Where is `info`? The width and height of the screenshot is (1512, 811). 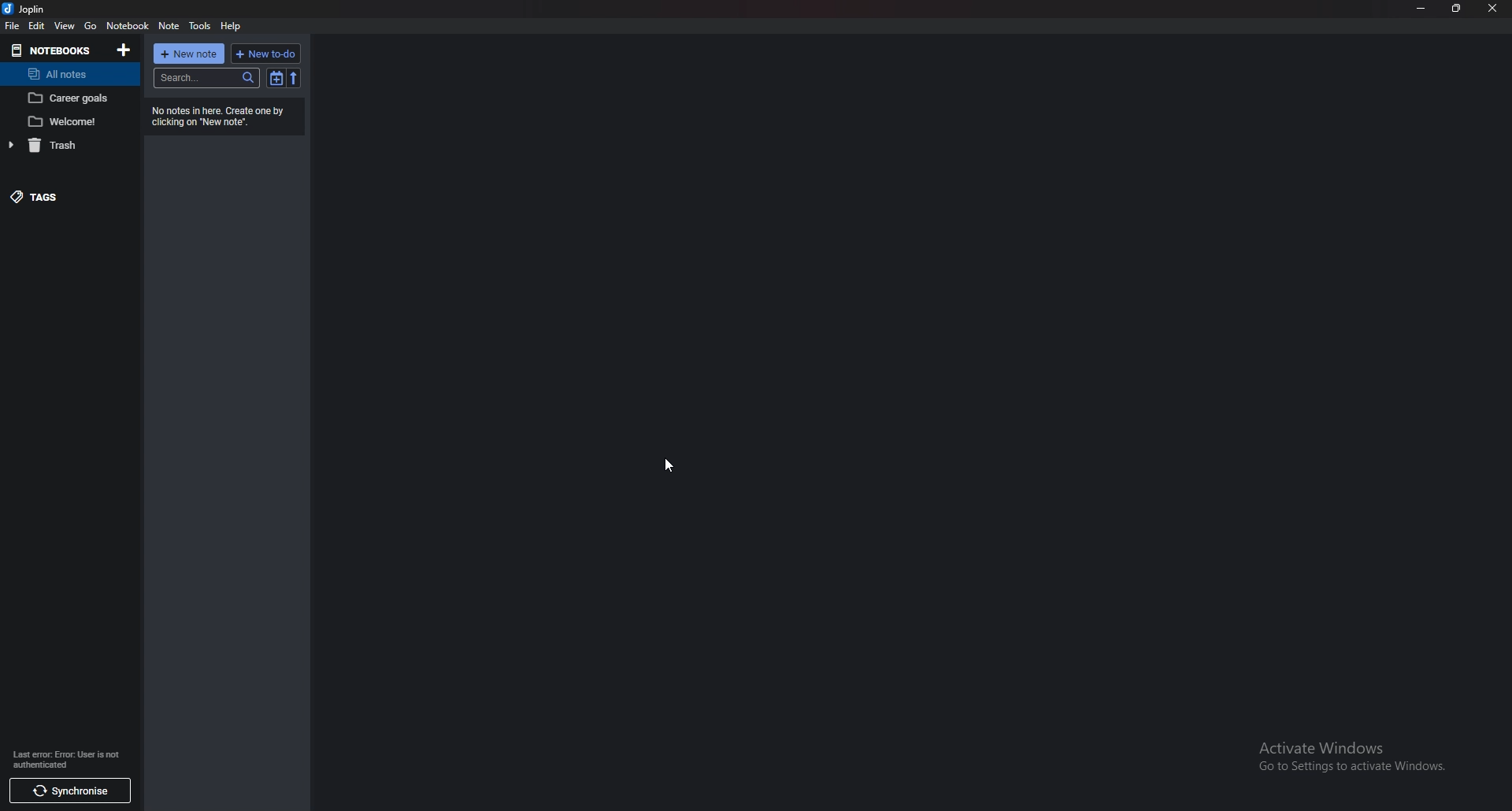
info is located at coordinates (69, 760).